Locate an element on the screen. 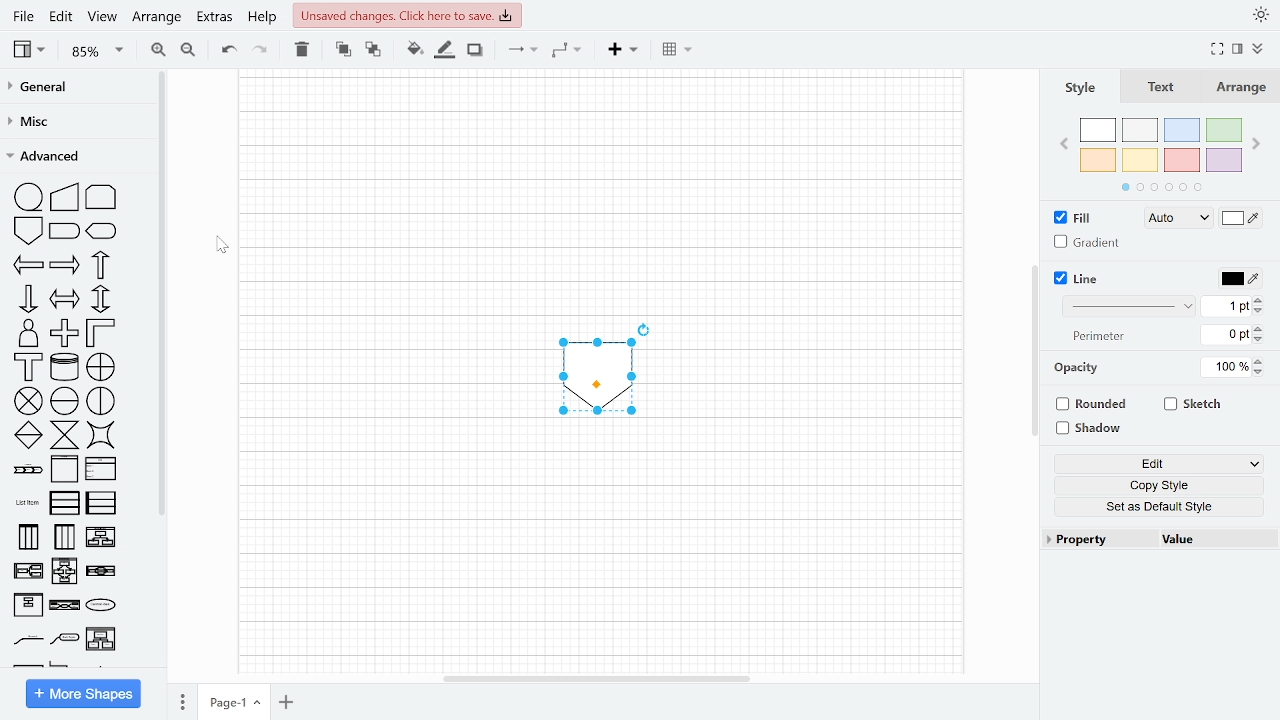 Image resolution: width=1280 pixels, height=720 pixels. Value is located at coordinates (1211, 539).